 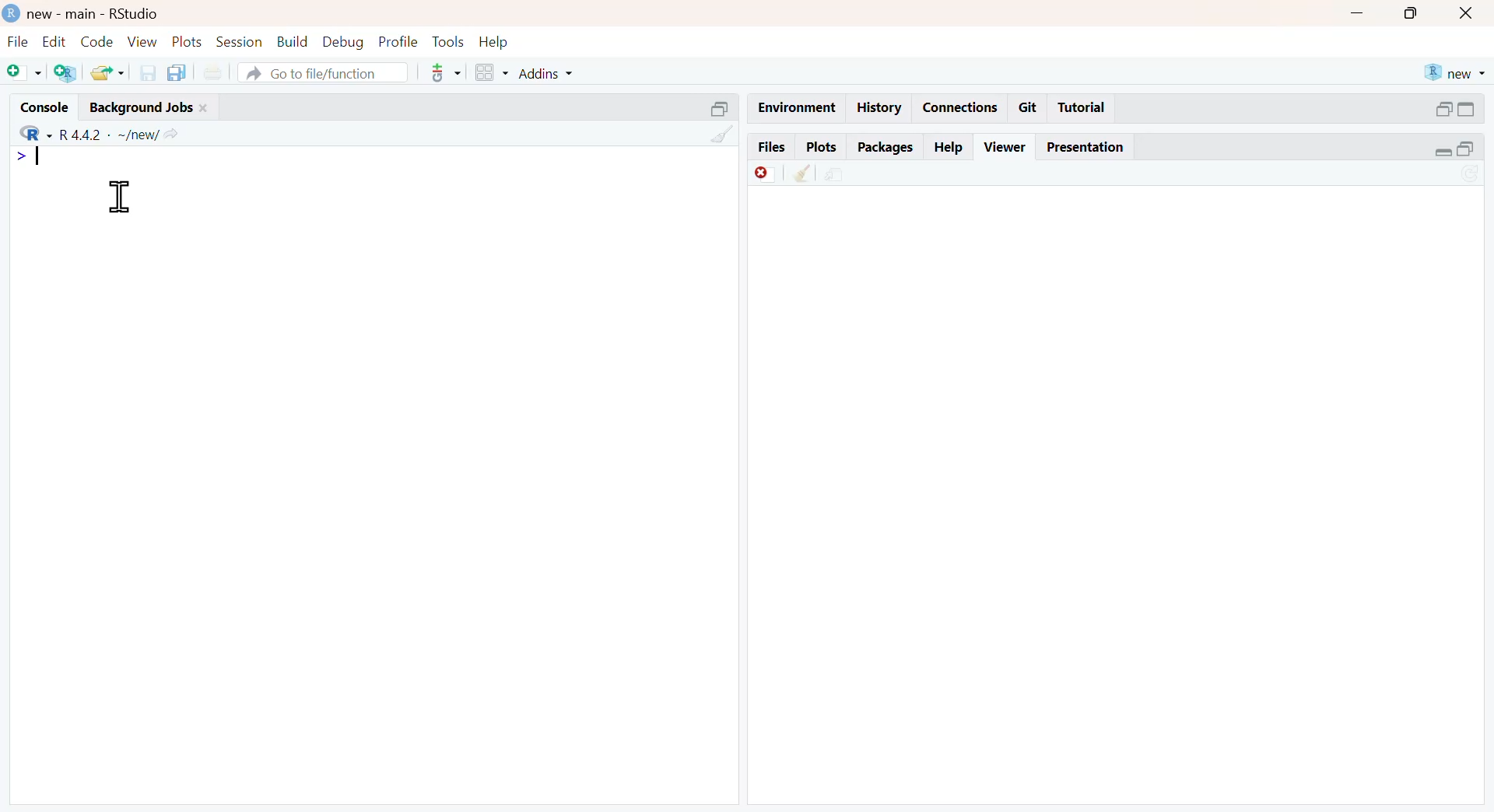 I want to click on share, so click(x=833, y=174).